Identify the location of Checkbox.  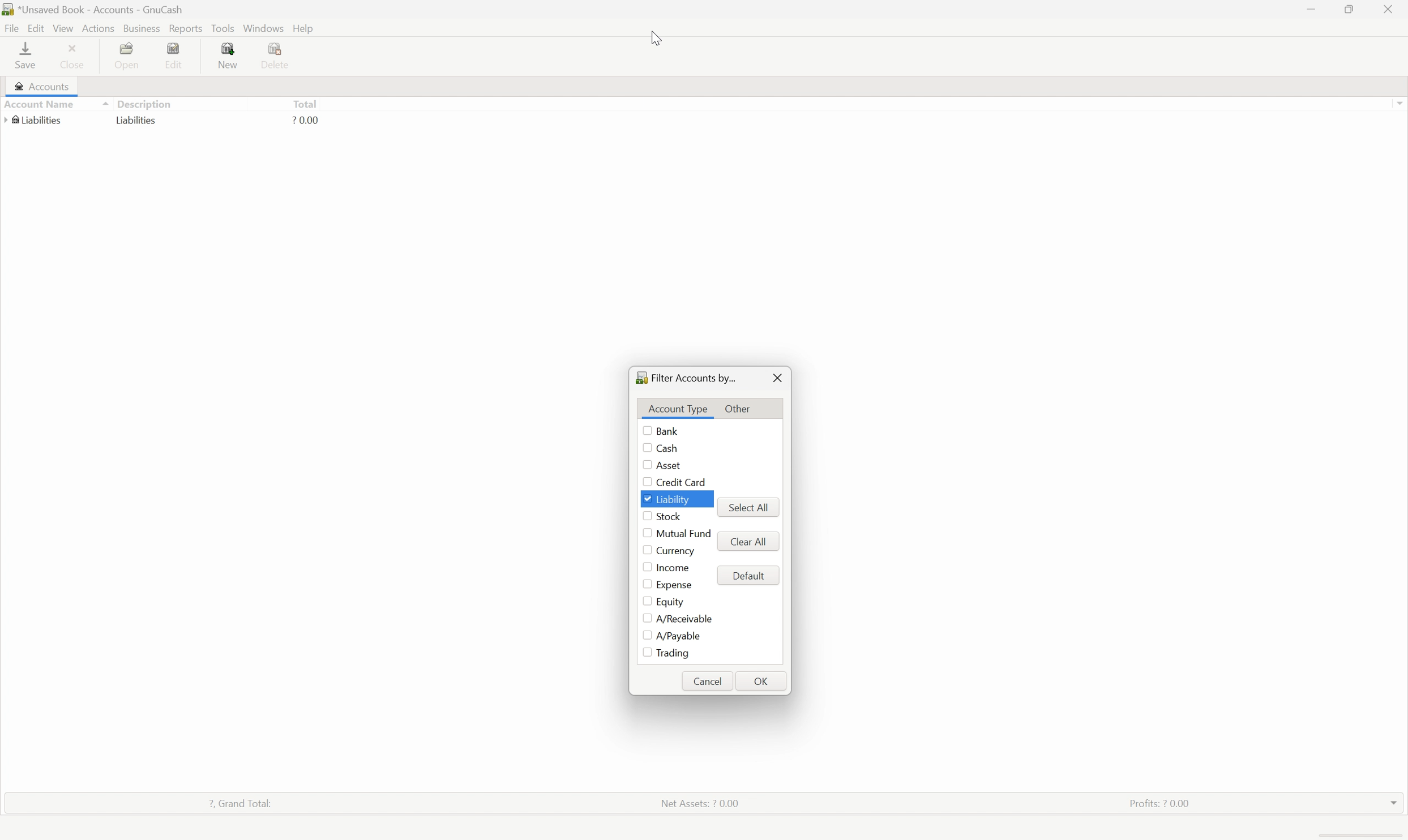
(645, 654).